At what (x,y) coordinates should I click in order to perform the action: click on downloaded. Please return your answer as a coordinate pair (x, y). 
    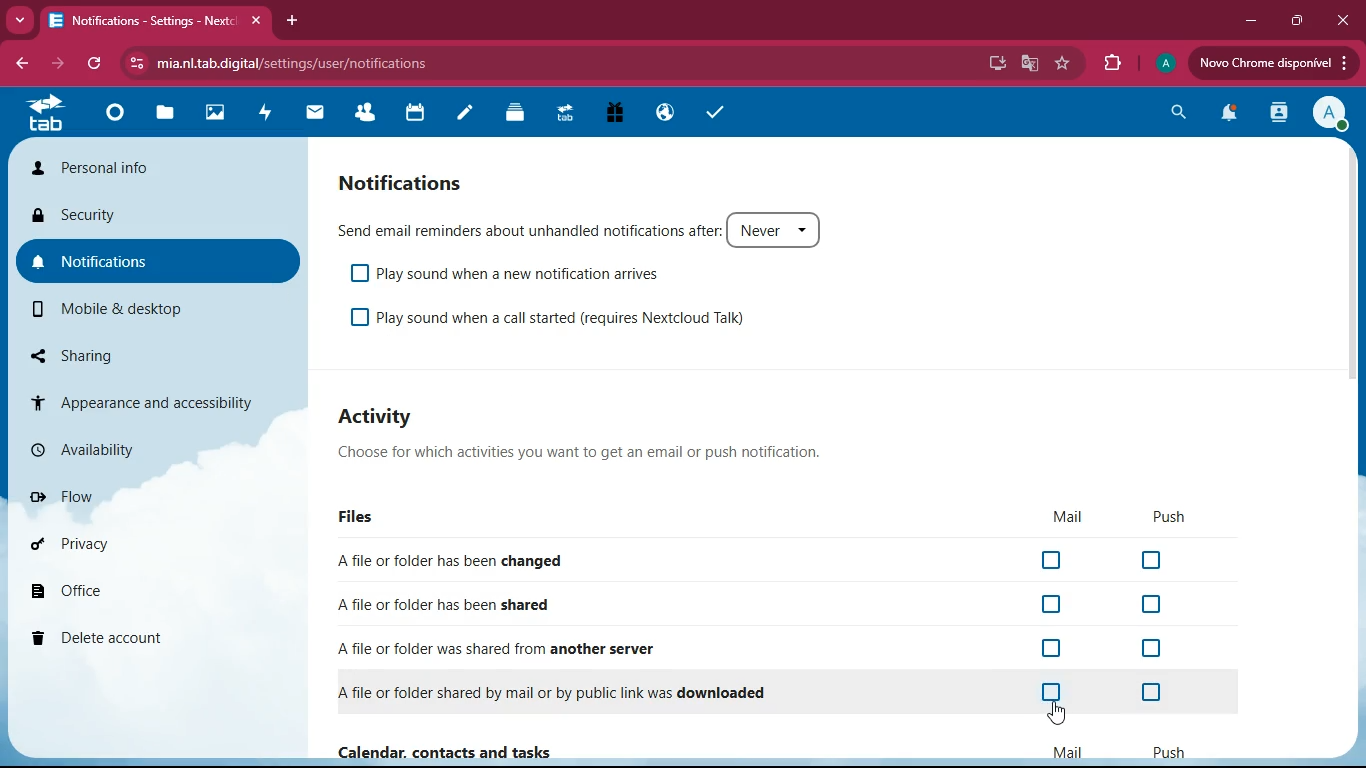
    Looking at the image, I should click on (571, 693).